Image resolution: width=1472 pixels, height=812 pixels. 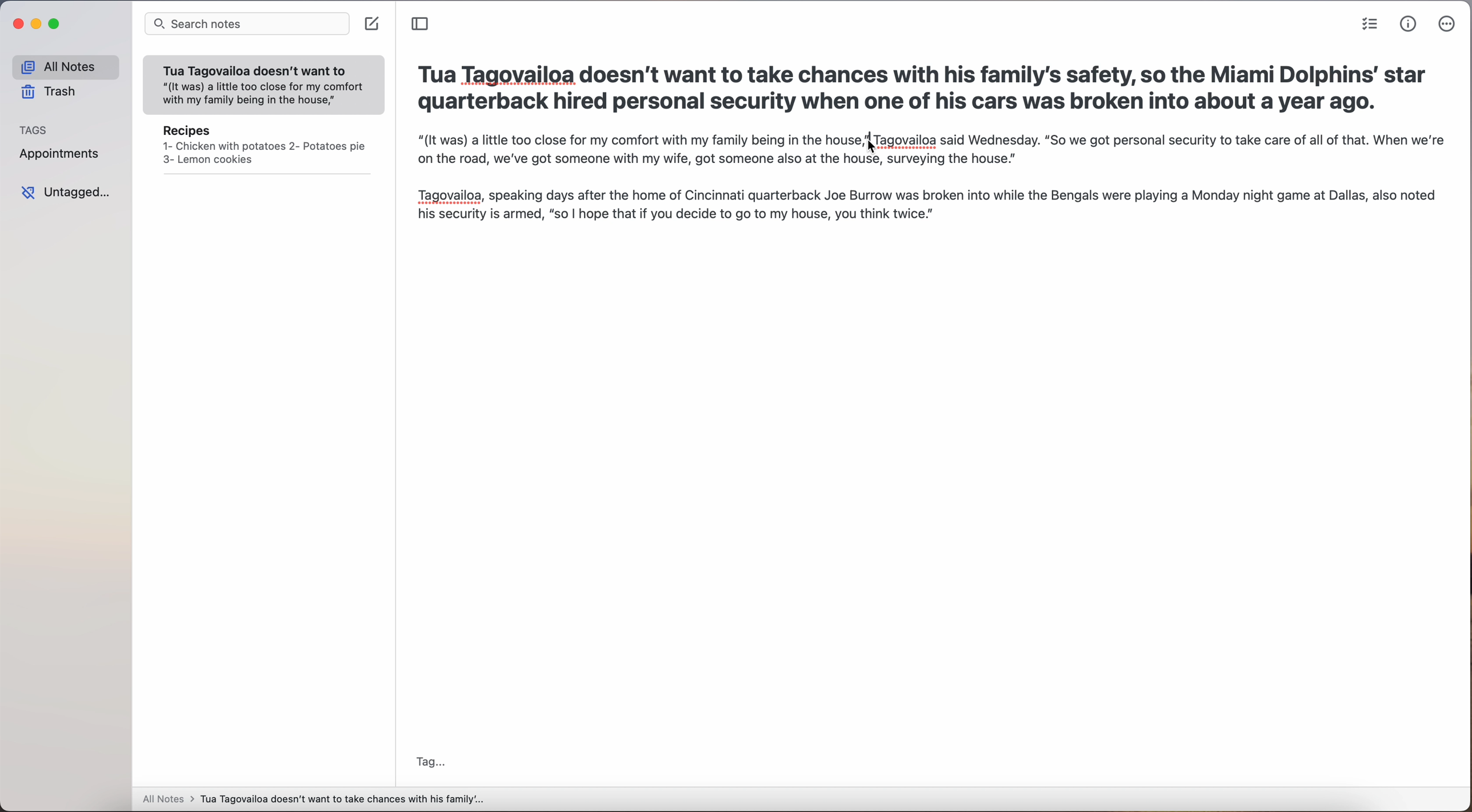 I want to click on trash, so click(x=50, y=91).